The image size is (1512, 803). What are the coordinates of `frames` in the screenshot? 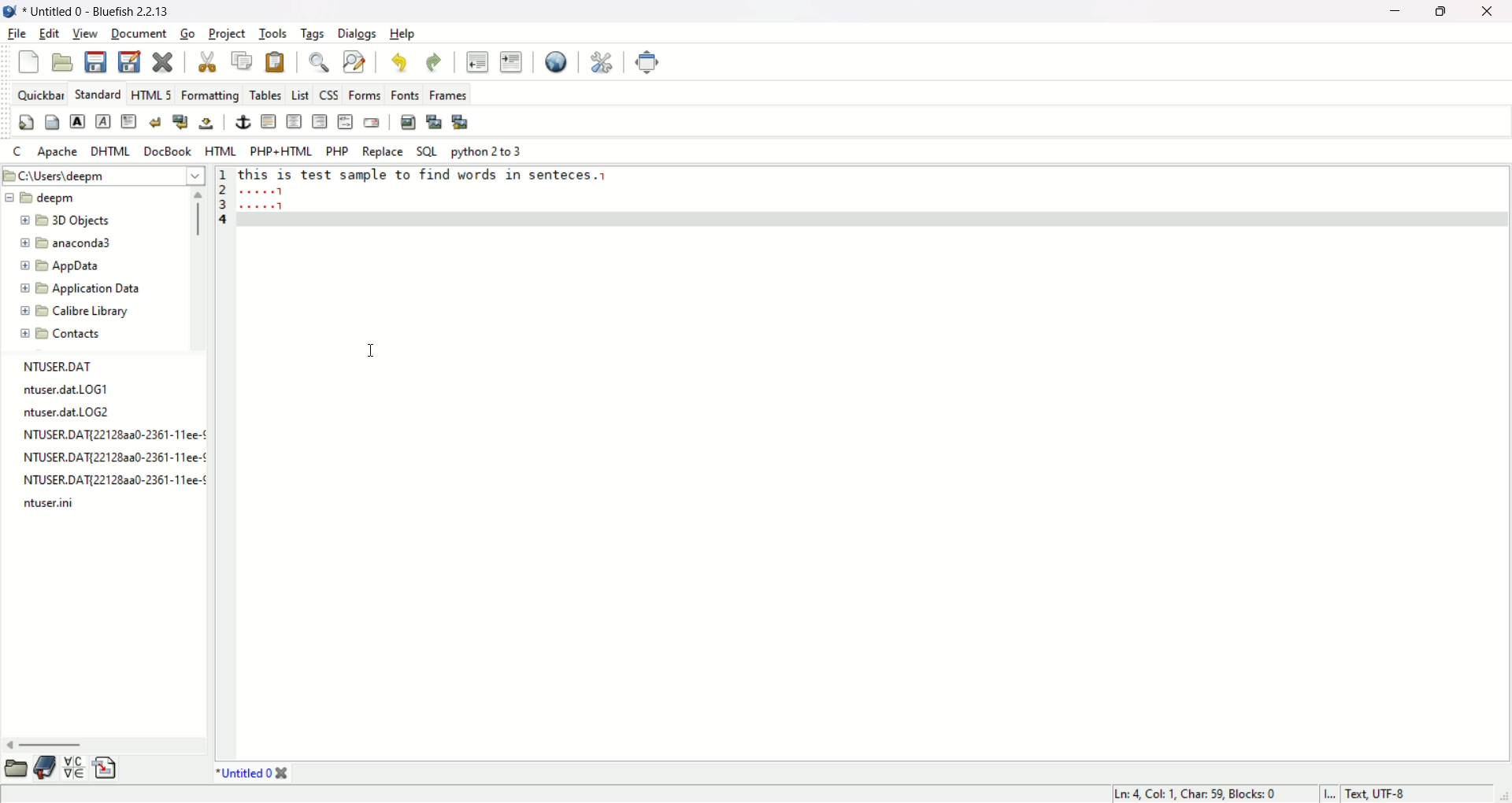 It's located at (449, 92).